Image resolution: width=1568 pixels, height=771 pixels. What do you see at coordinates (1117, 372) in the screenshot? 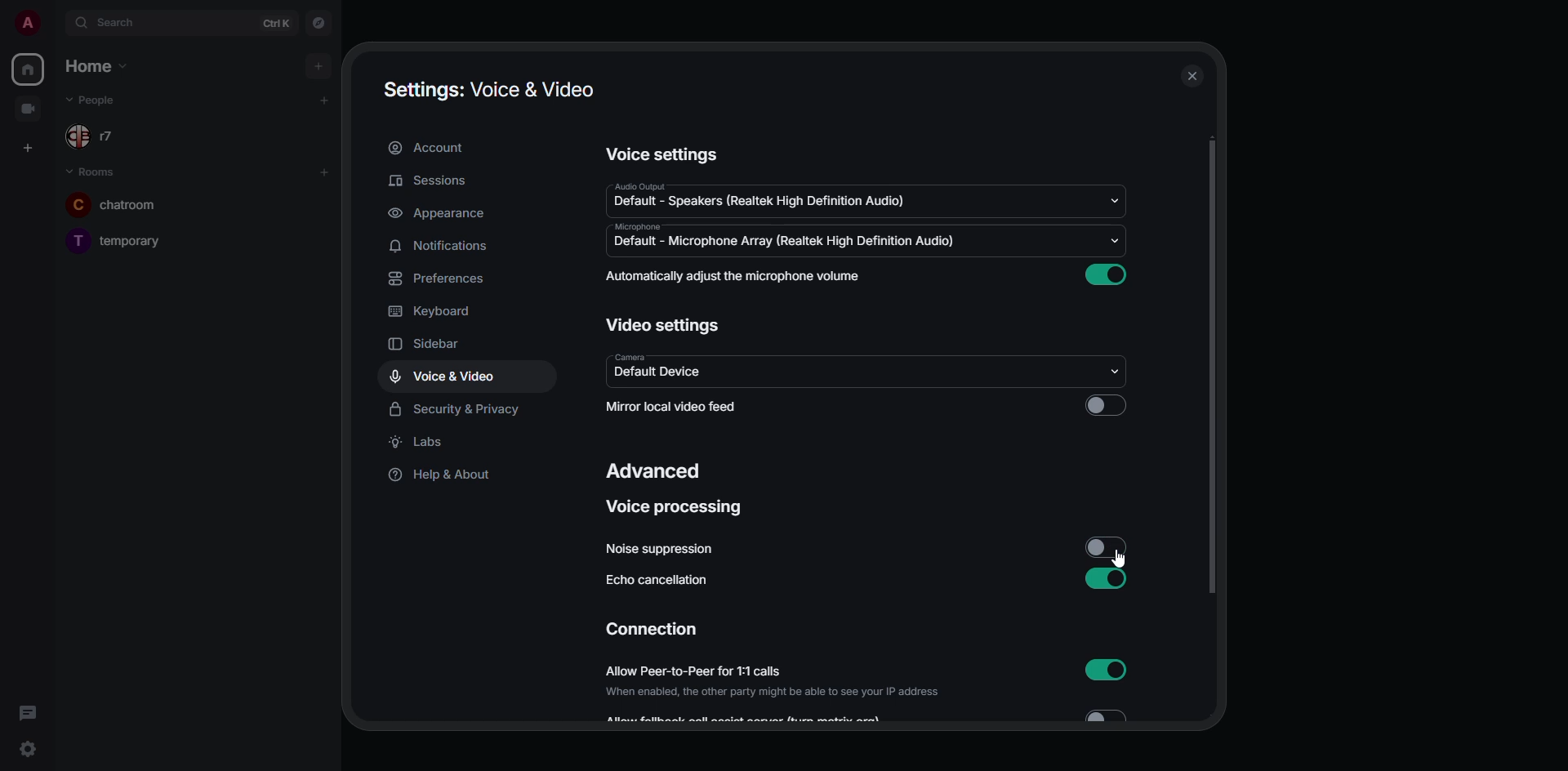
I see `drop down` at bounding box center [1117, 372].